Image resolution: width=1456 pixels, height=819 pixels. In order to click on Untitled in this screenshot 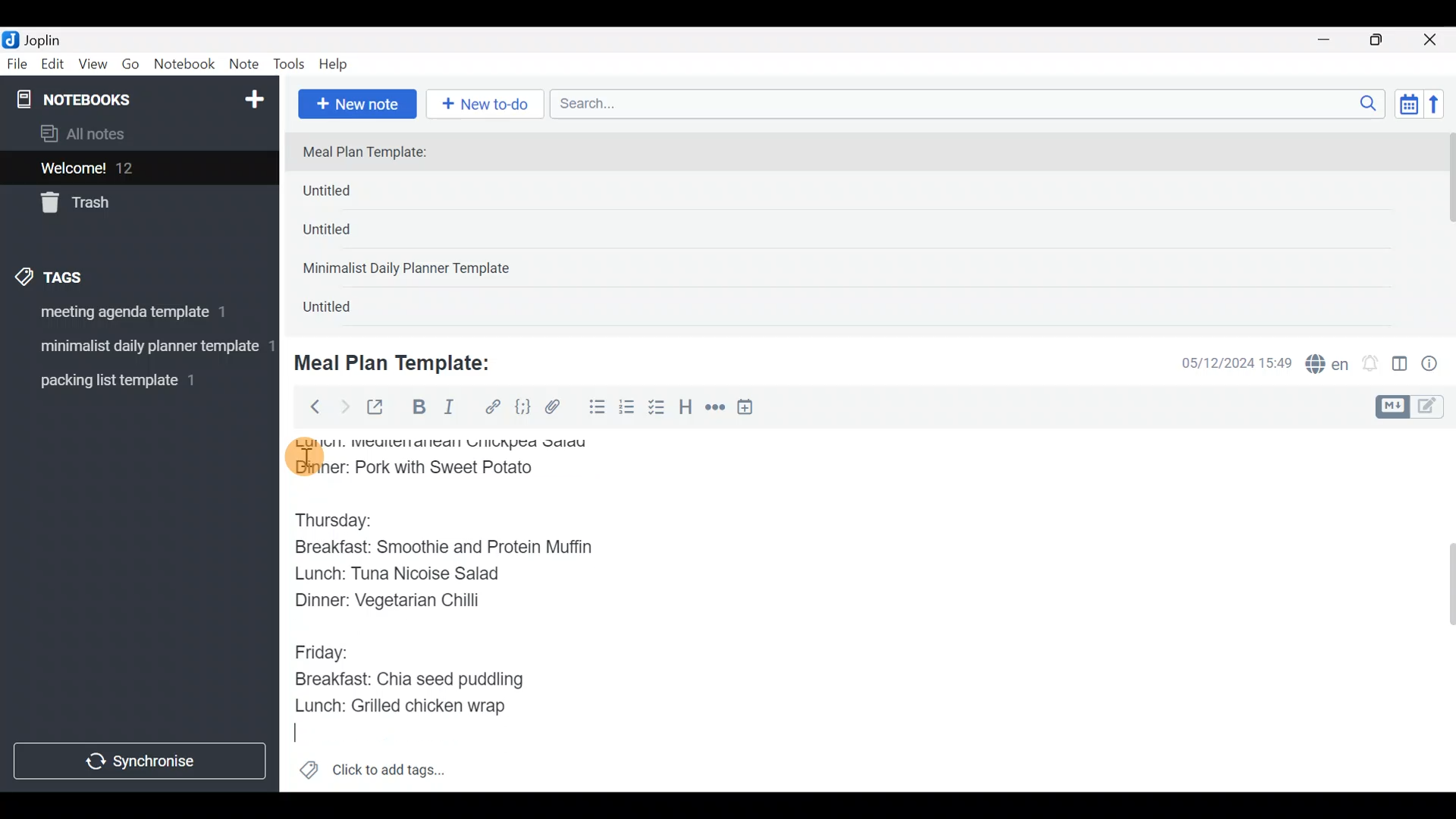, I will do `click(347, 234)`.